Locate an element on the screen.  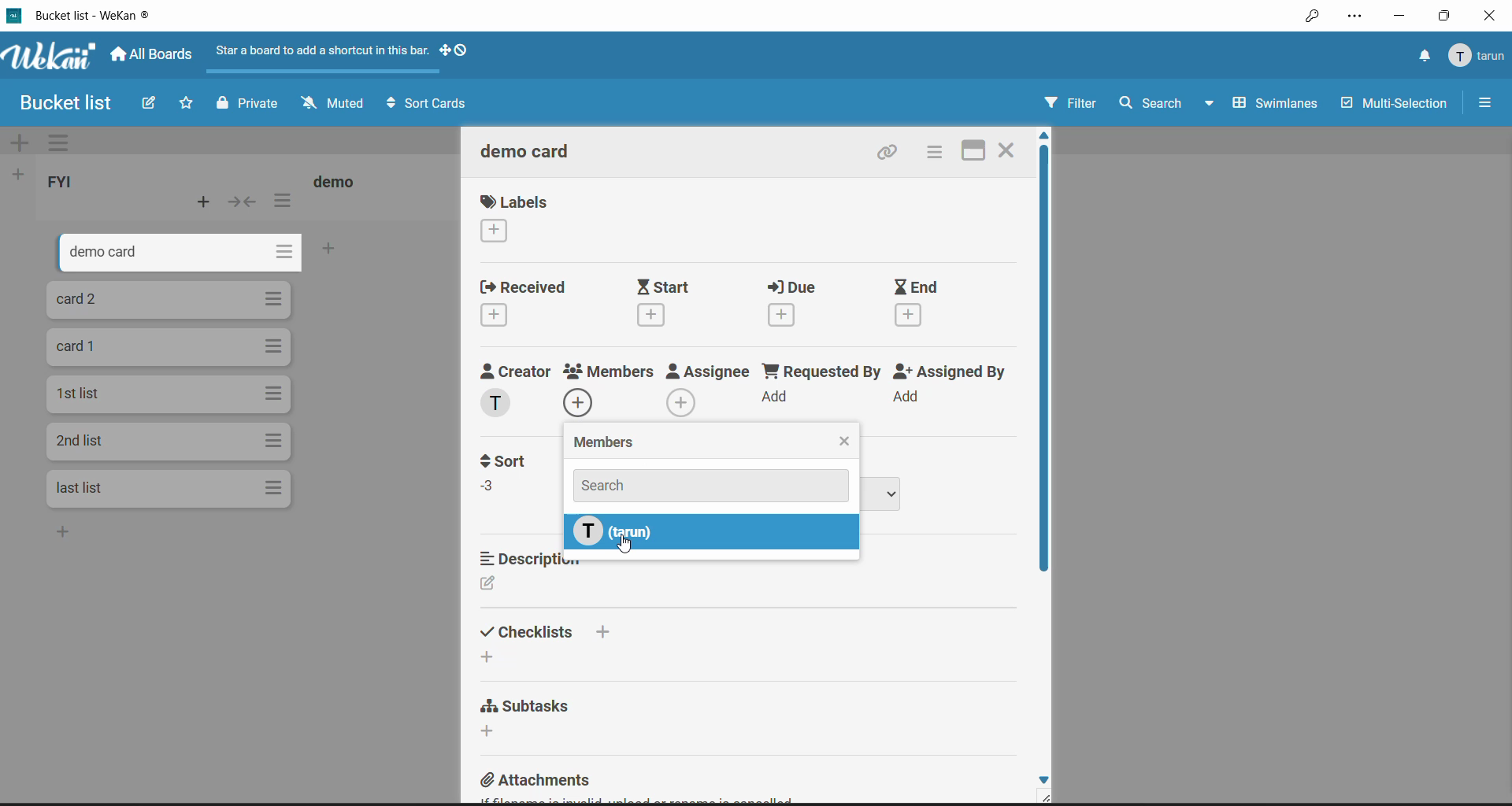
add member is located at coordinates (580, 405).